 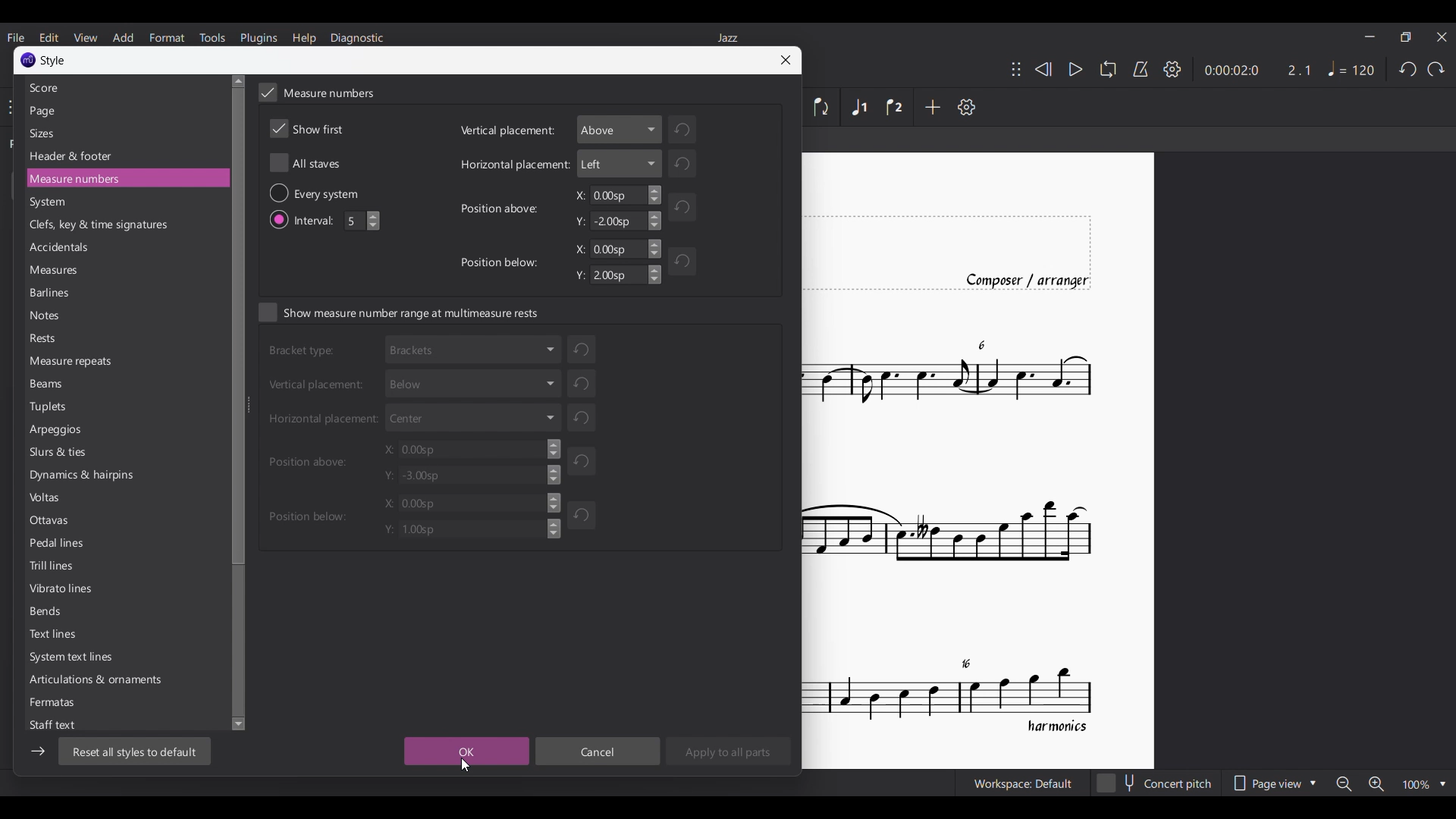 I want to click on Y, so click(x=620, y=221).